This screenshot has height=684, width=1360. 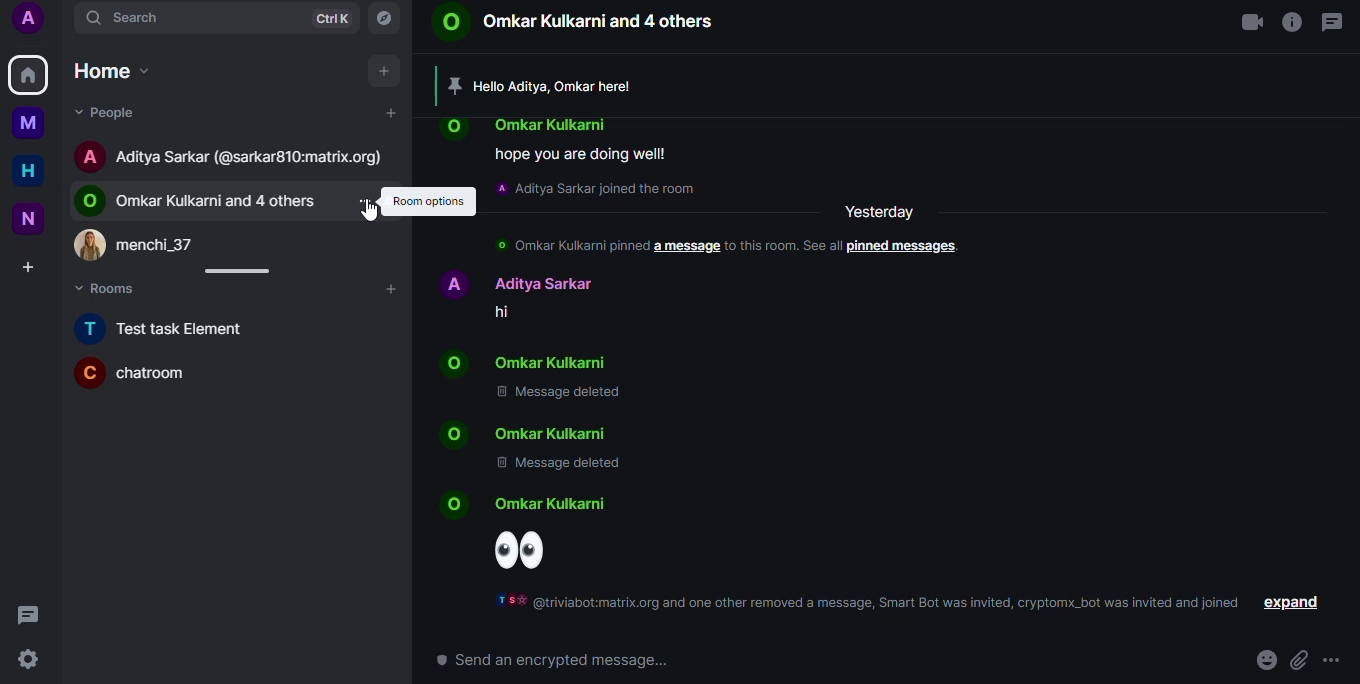 What do you see at coordinates (553, 661) in the screenshot?
I see ` Send an encrypted message...` at bounding box center [553, 661].